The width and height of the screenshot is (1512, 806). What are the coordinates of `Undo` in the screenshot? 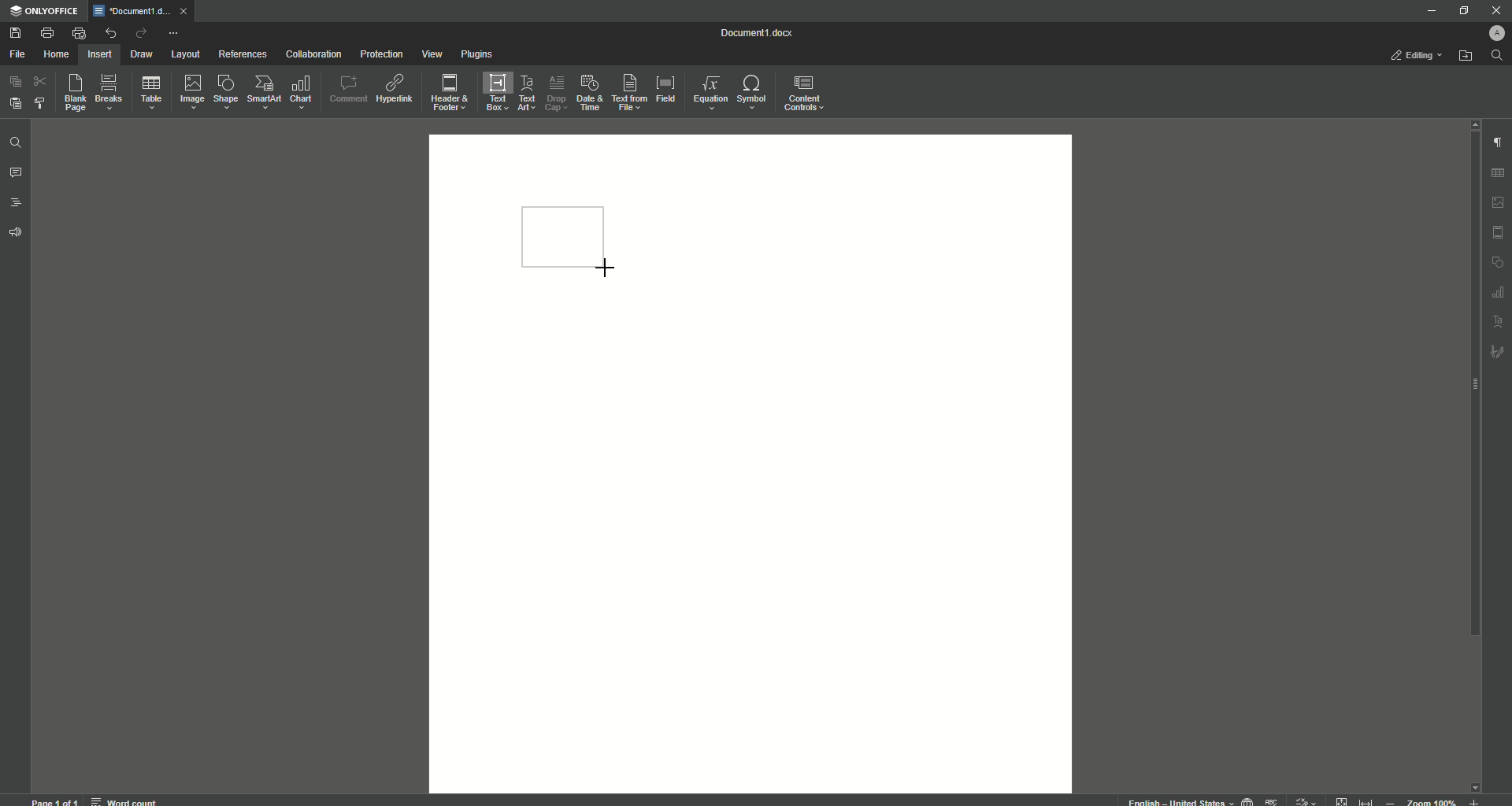 It's located at (109, 33).